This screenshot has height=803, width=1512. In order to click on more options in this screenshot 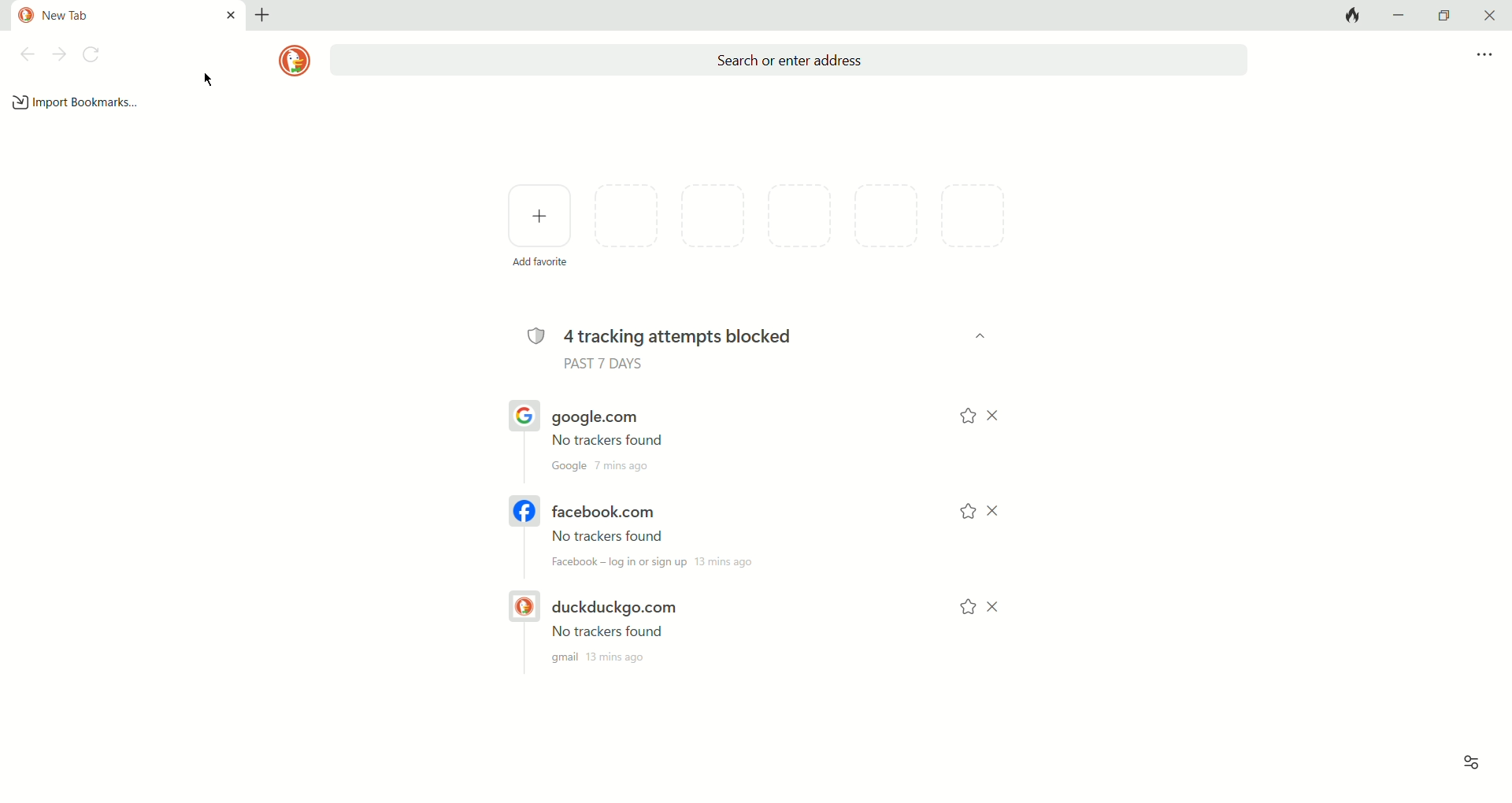, I will do `click(1485, 56)`.